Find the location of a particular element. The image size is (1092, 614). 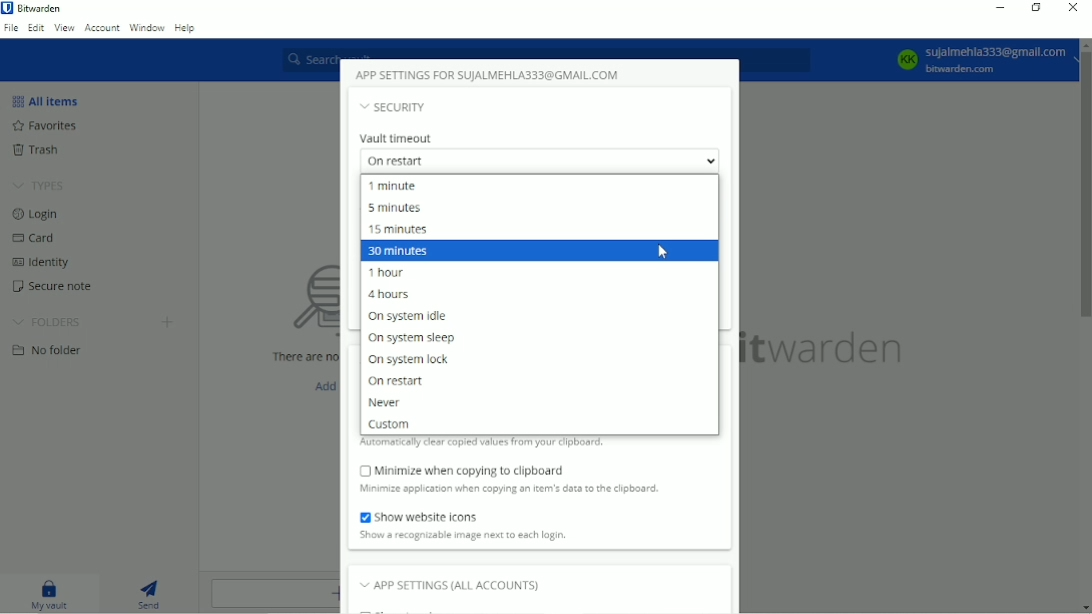

30 minutes is located at coordinates (400, 250).